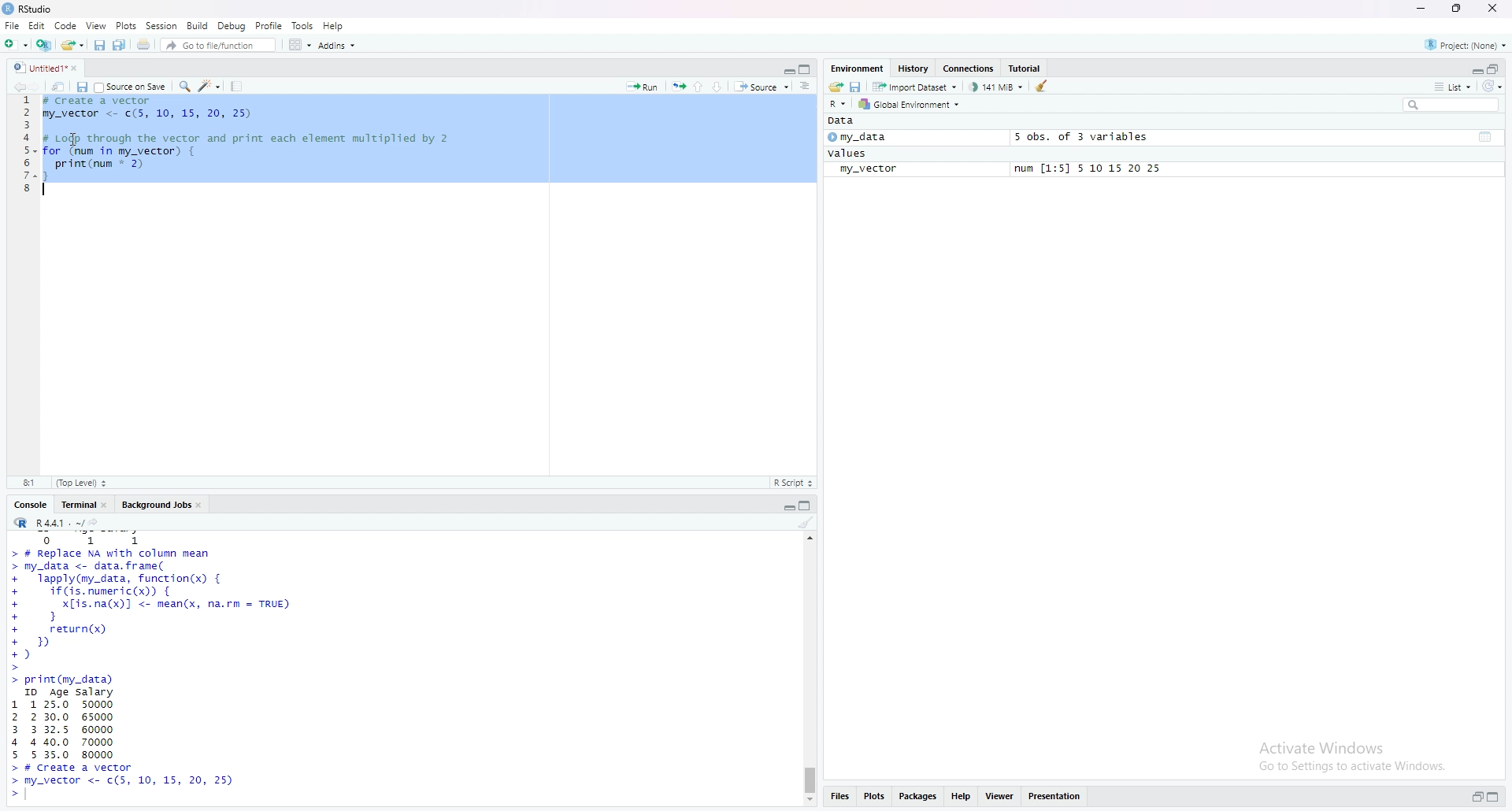 The width and height of the screenshot is (1512, 811). Describe the element at coordinates (847, 121) in the screenshot. I see `Data` at that location.